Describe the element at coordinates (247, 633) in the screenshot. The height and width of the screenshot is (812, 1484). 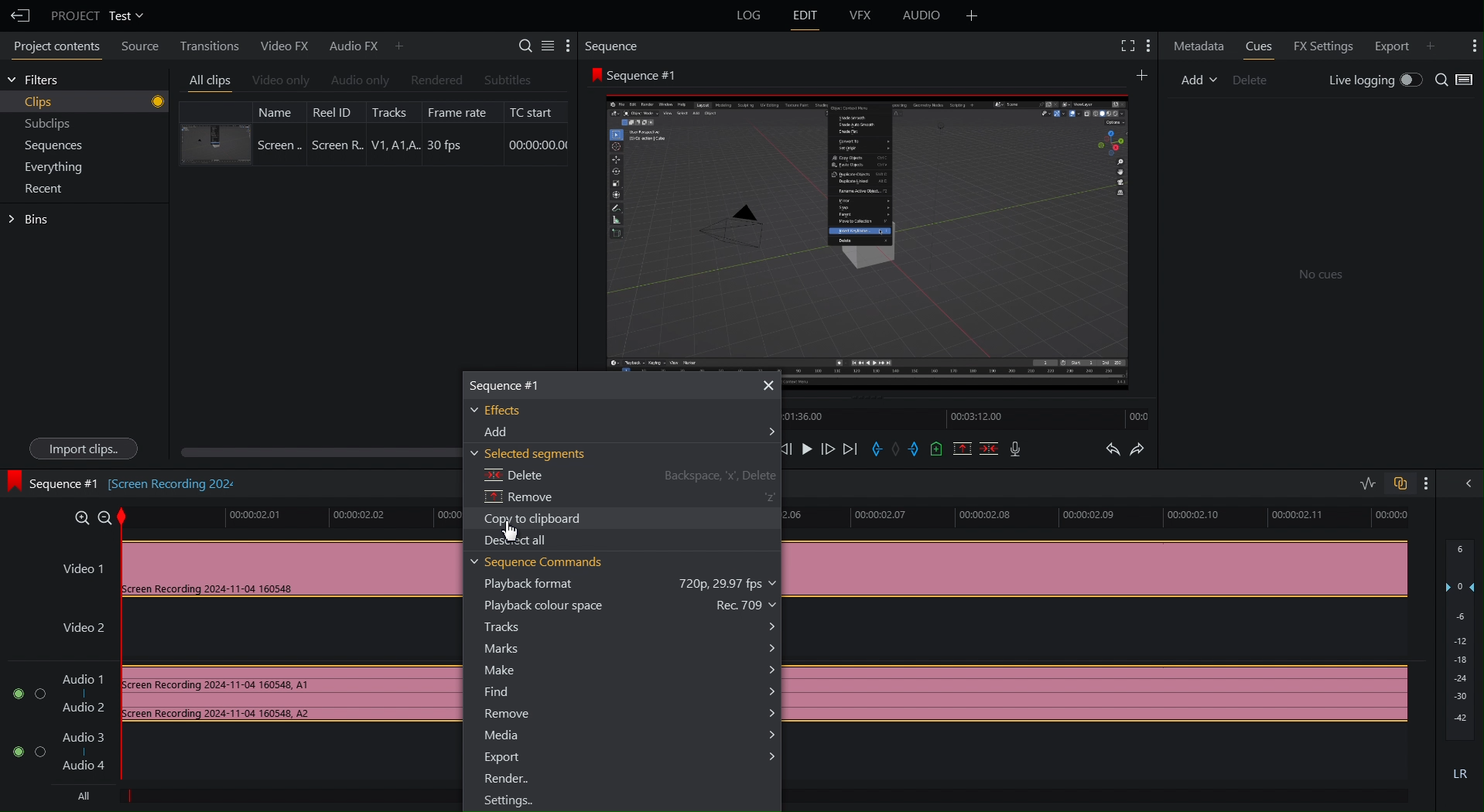
I see `Video 2 Track` at that location.